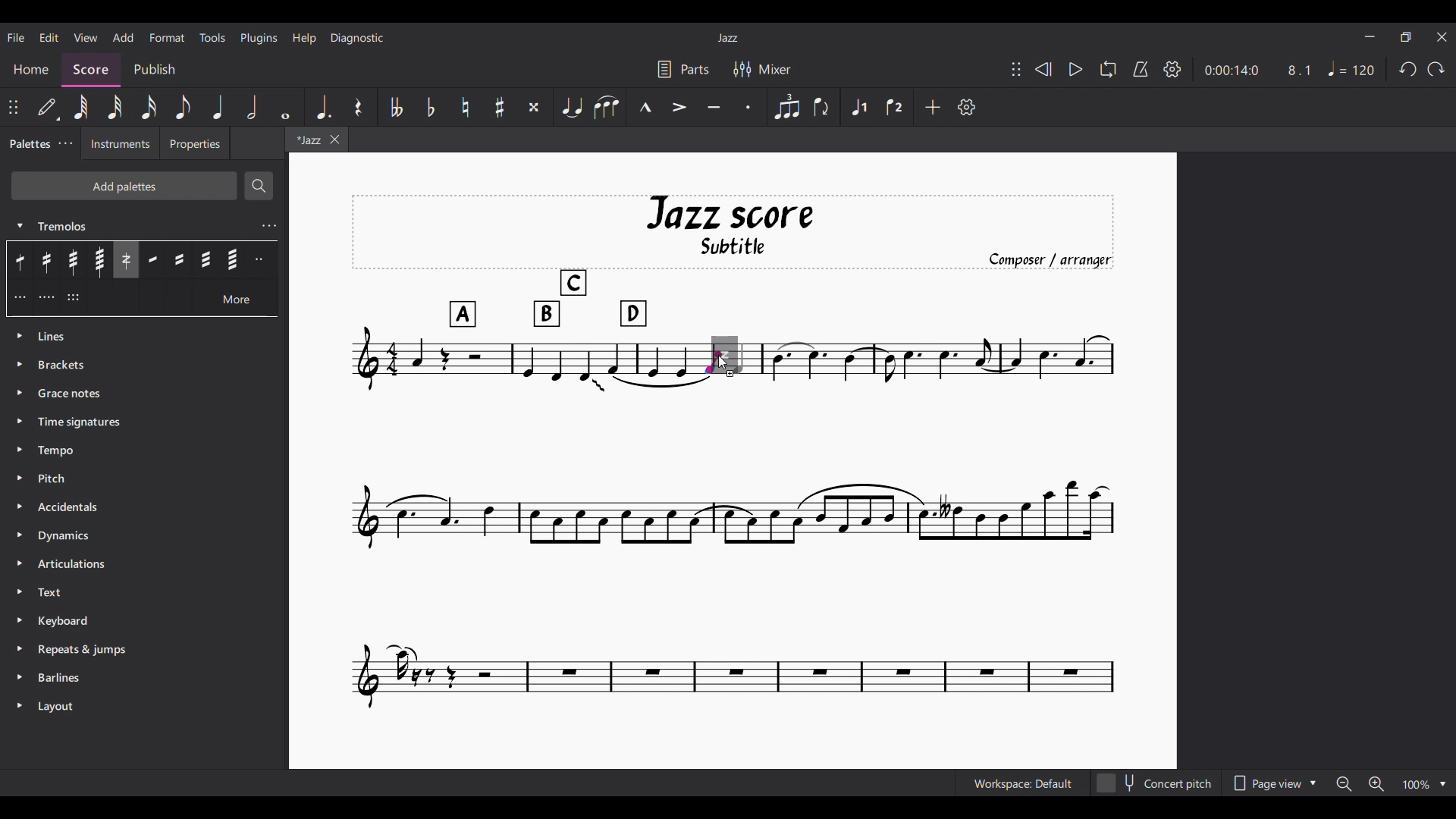 The width and height of the screenshot is (1456, 819). Describe the element at coordinates (73, 260) in the screenshot. I see `32nd through stem` at that location.